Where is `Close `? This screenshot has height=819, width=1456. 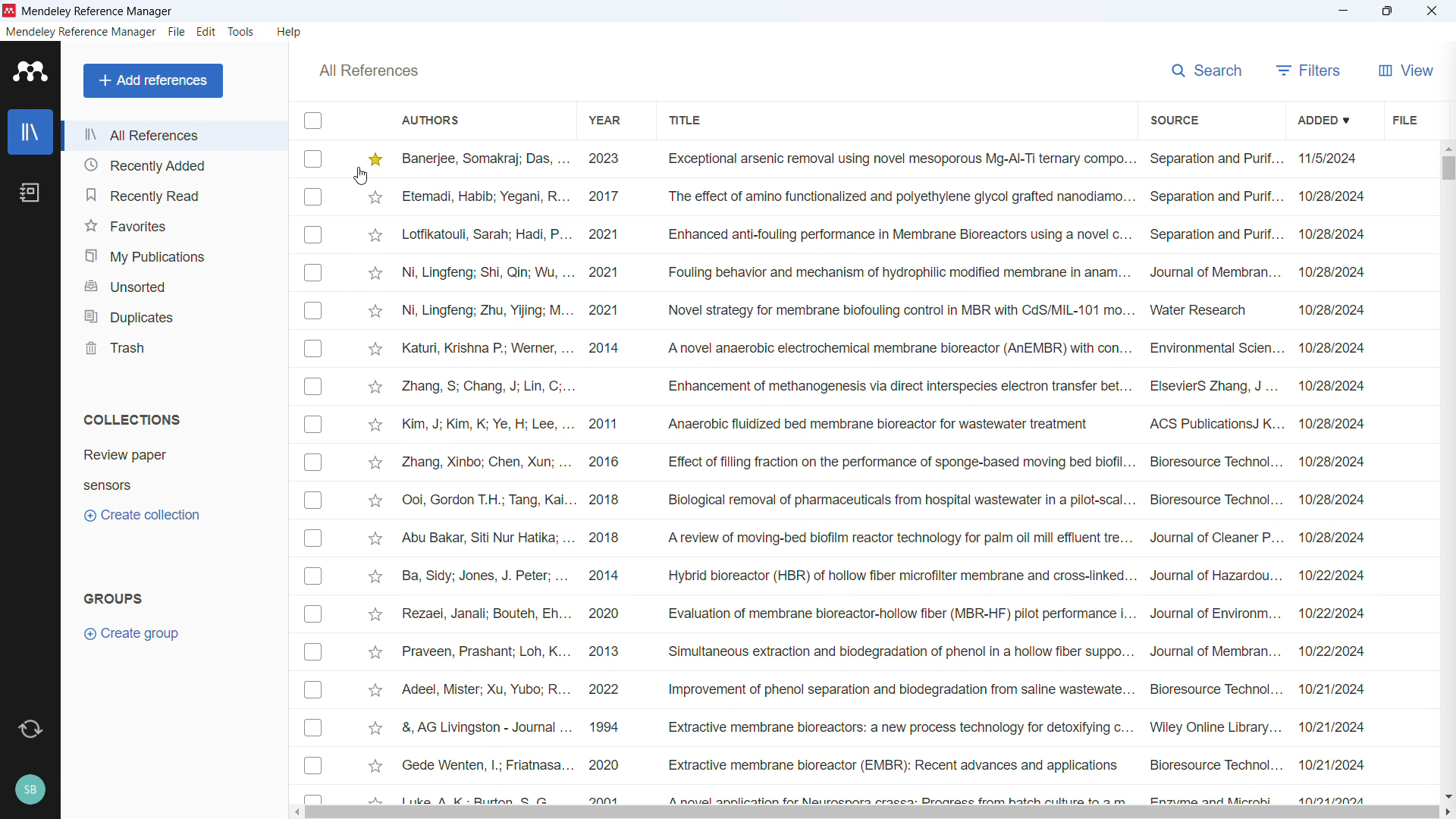 Close  is located at coordinates (1433, 11).